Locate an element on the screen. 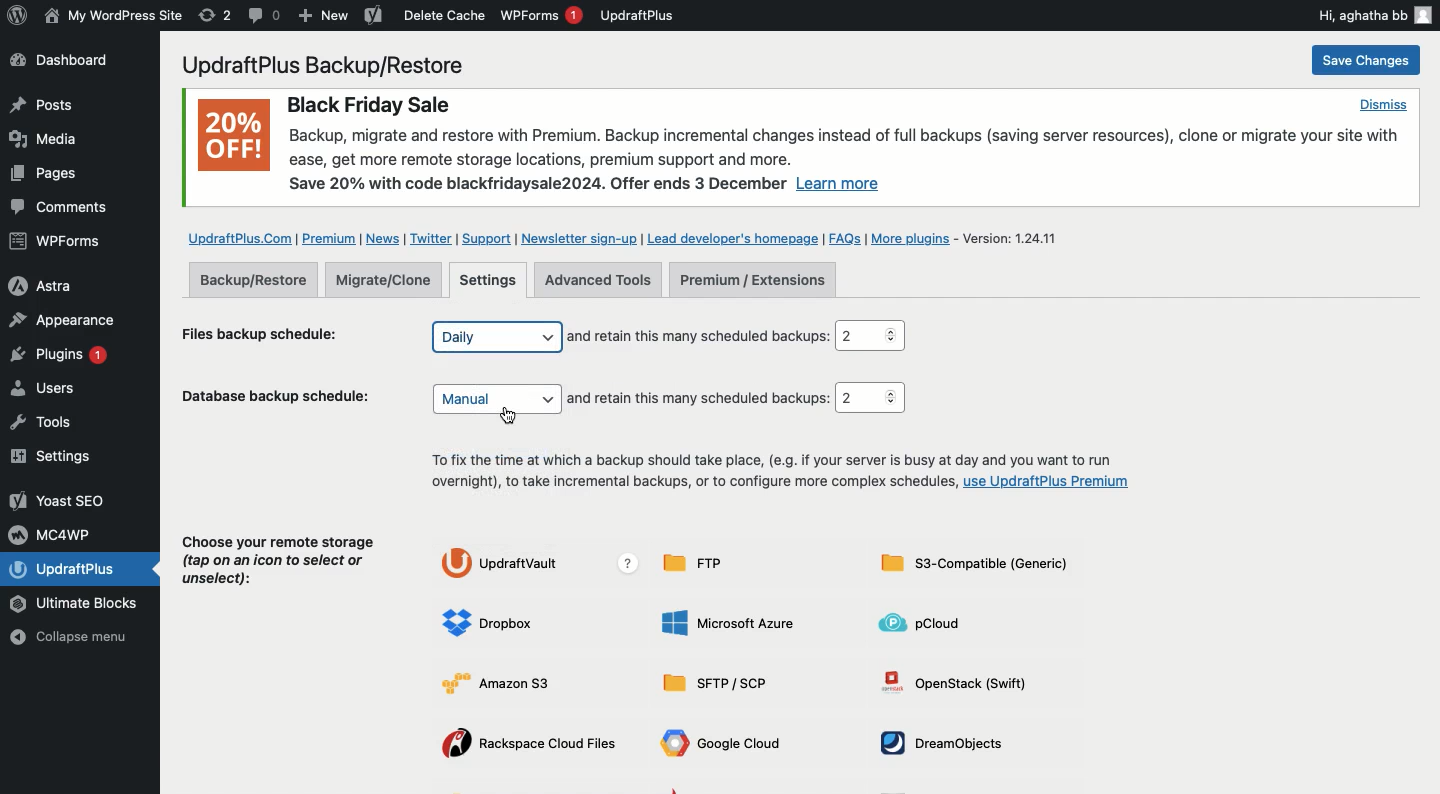 The width and height of the screenshot is (1440, 794). Ultimate Blocks is located at coordinates (80, 605).